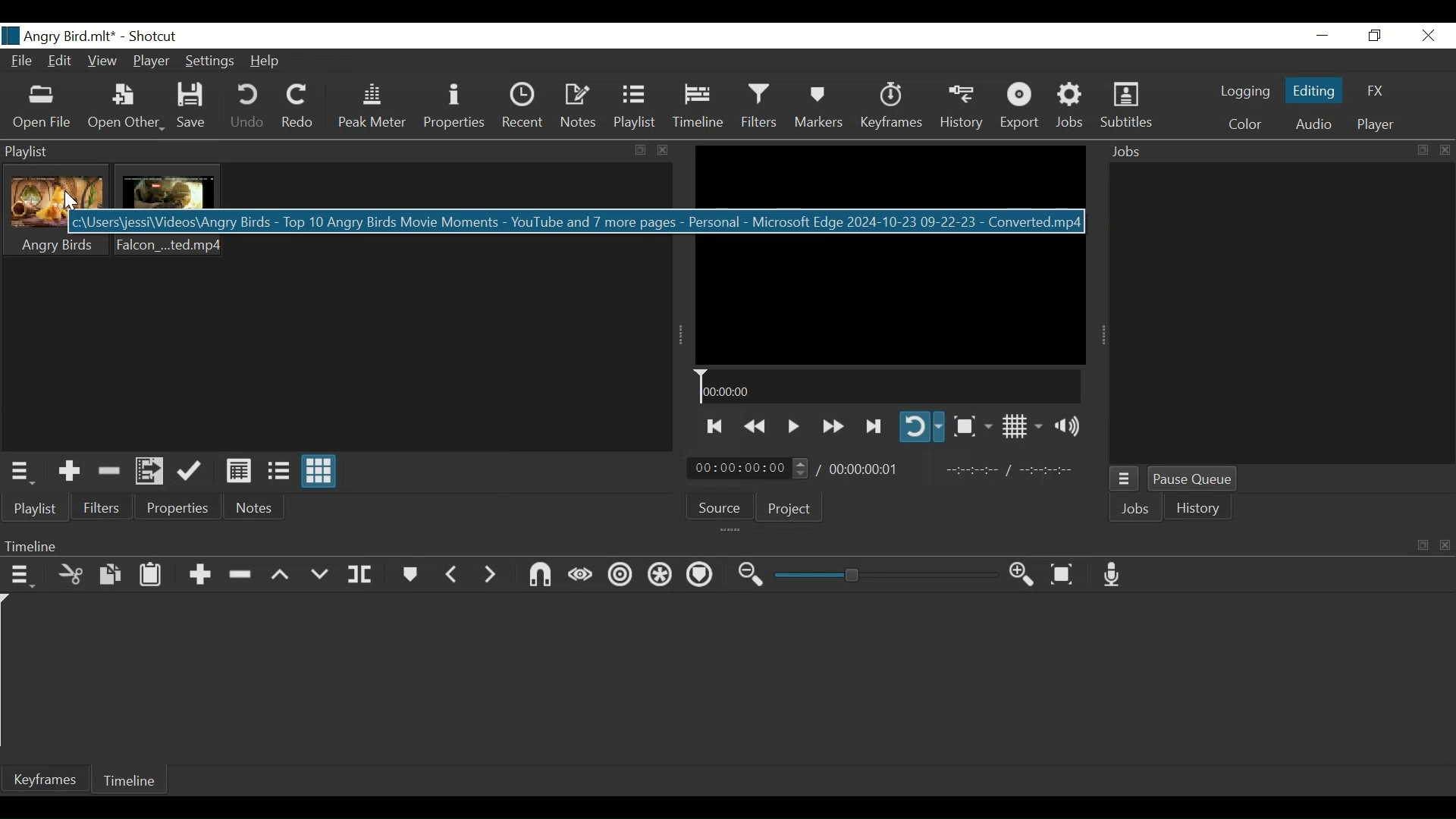 The height and width of the screenshot is (819, 1456). What do you see at coordinates (872, 425) in the screenshot?
I see `Skip to the next point` at bounding box center [872, 425].